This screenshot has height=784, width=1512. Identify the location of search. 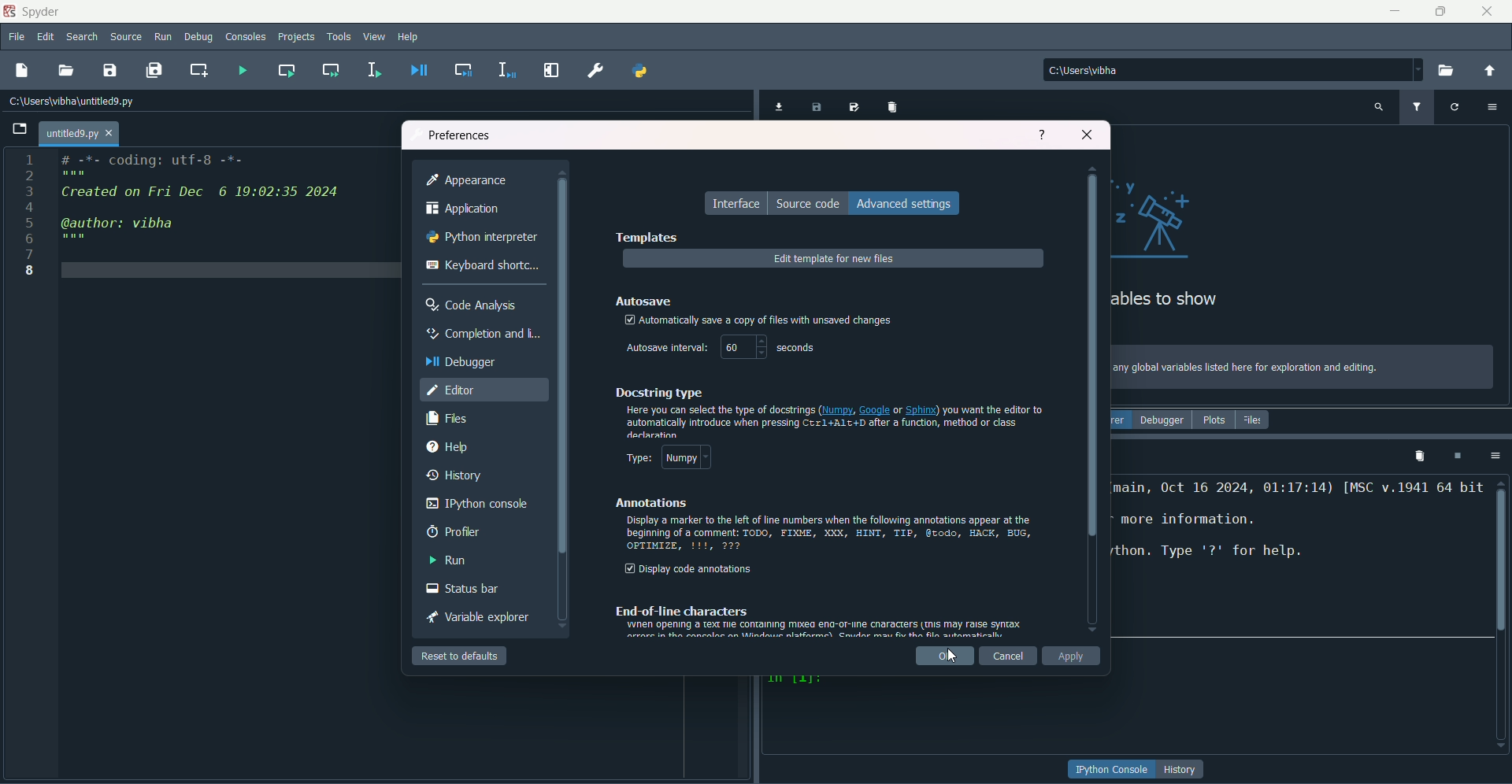
(82, 39).